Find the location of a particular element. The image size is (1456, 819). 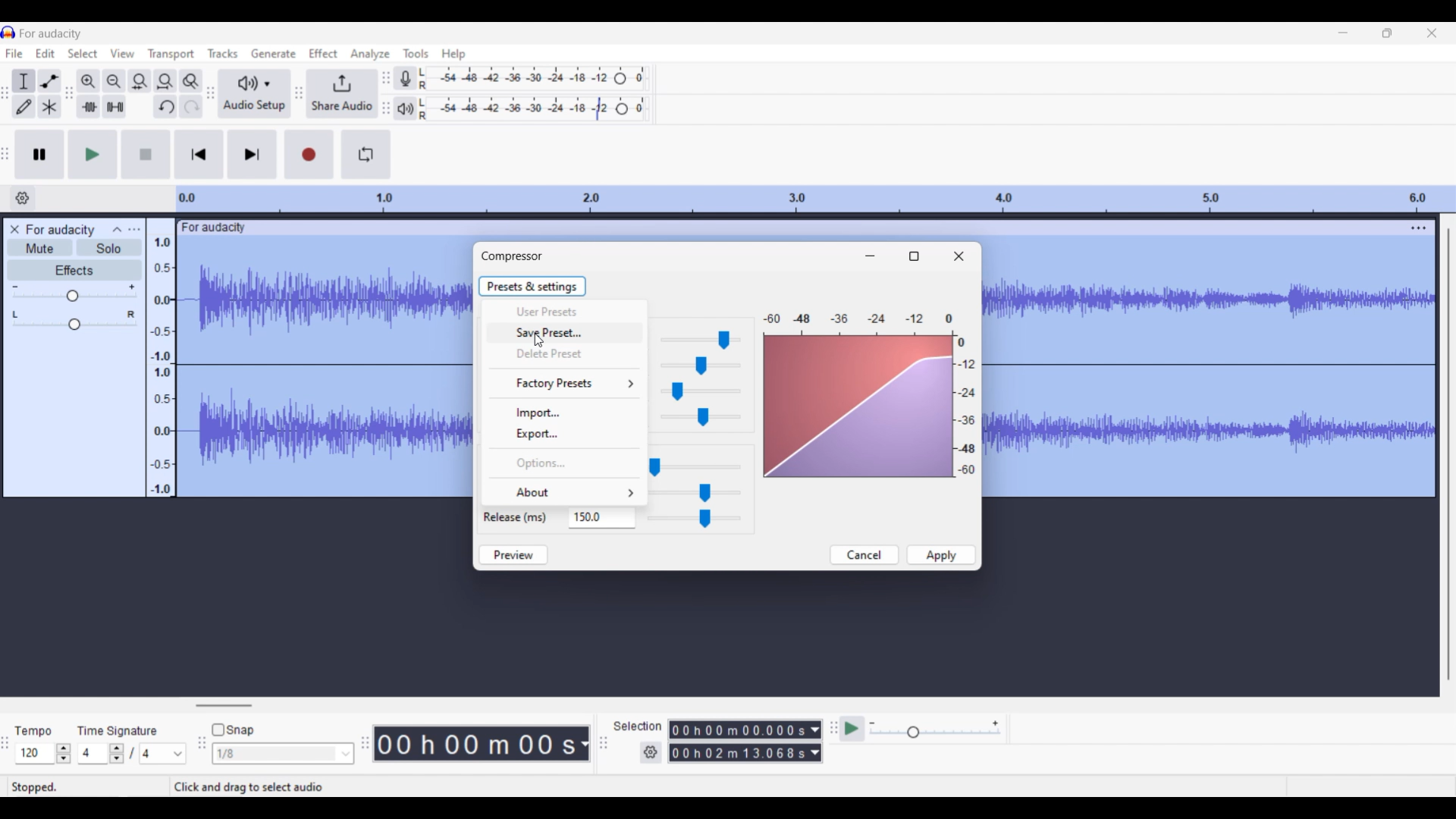

Edit menu is located at coordinates (45, 53).